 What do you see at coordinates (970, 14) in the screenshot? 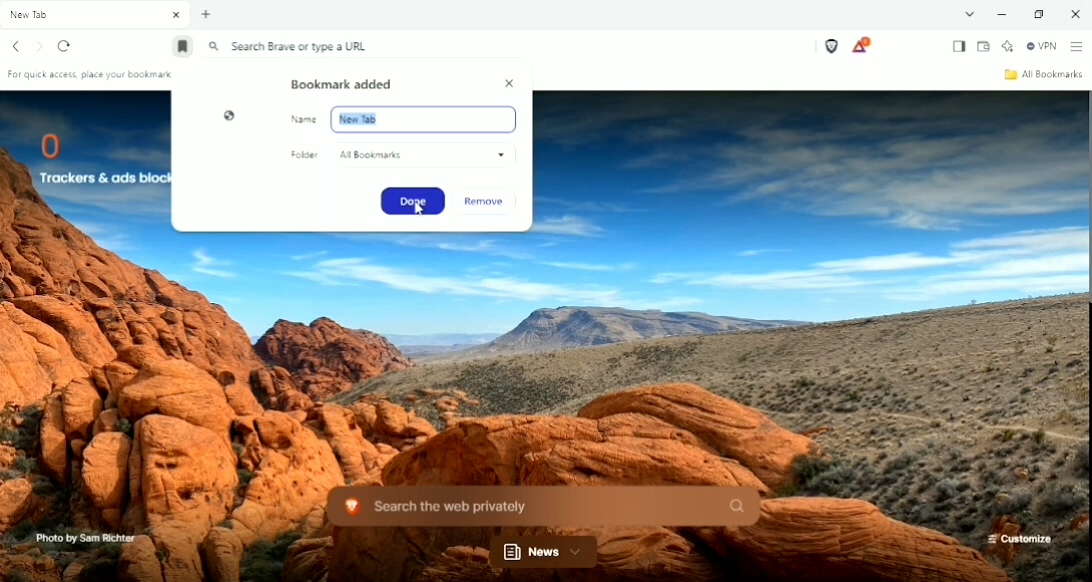
I see `Search tabs` at bounding box center [970, 14].